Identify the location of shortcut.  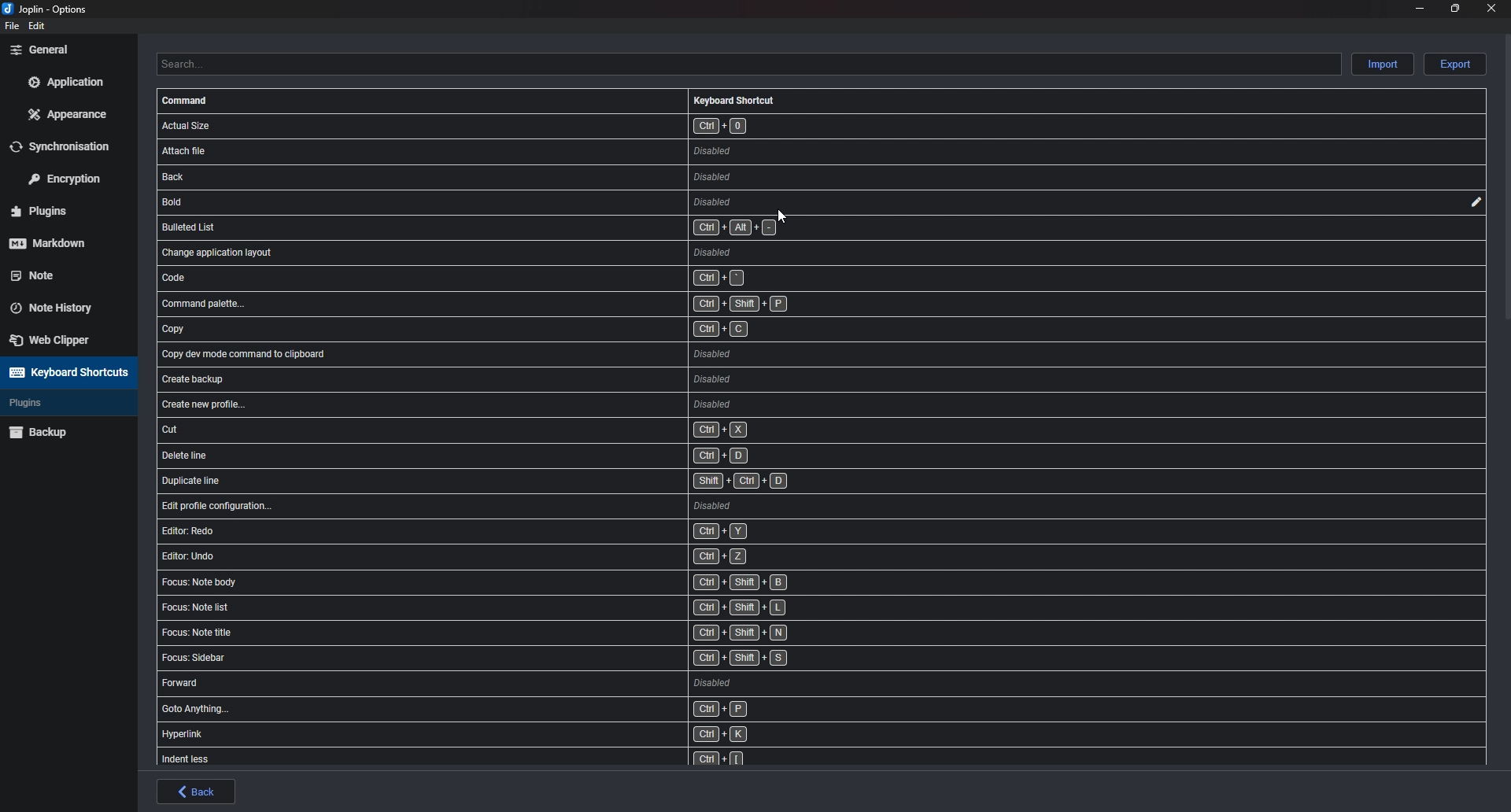
(532, 125).